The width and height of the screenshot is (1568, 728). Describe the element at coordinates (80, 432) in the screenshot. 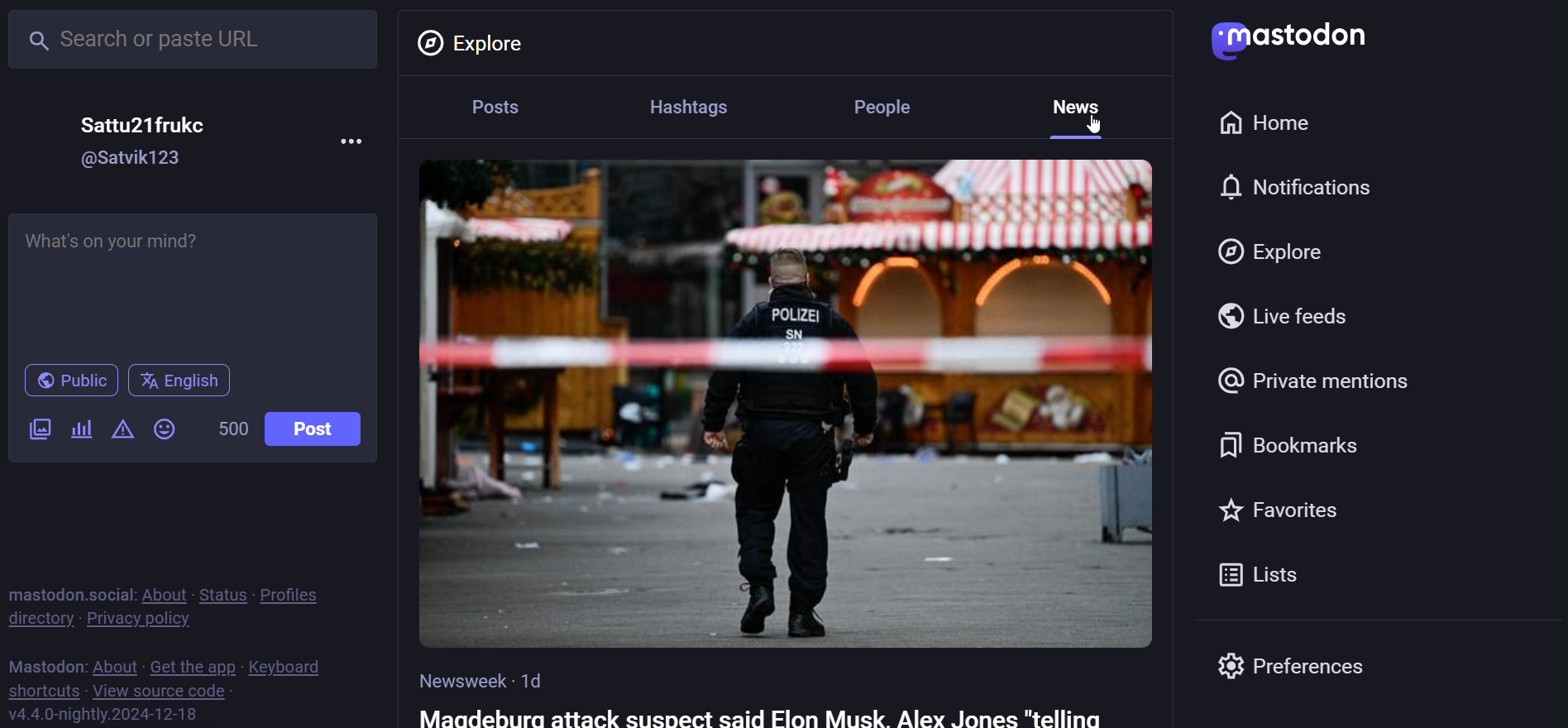

I see `poll` at that location.